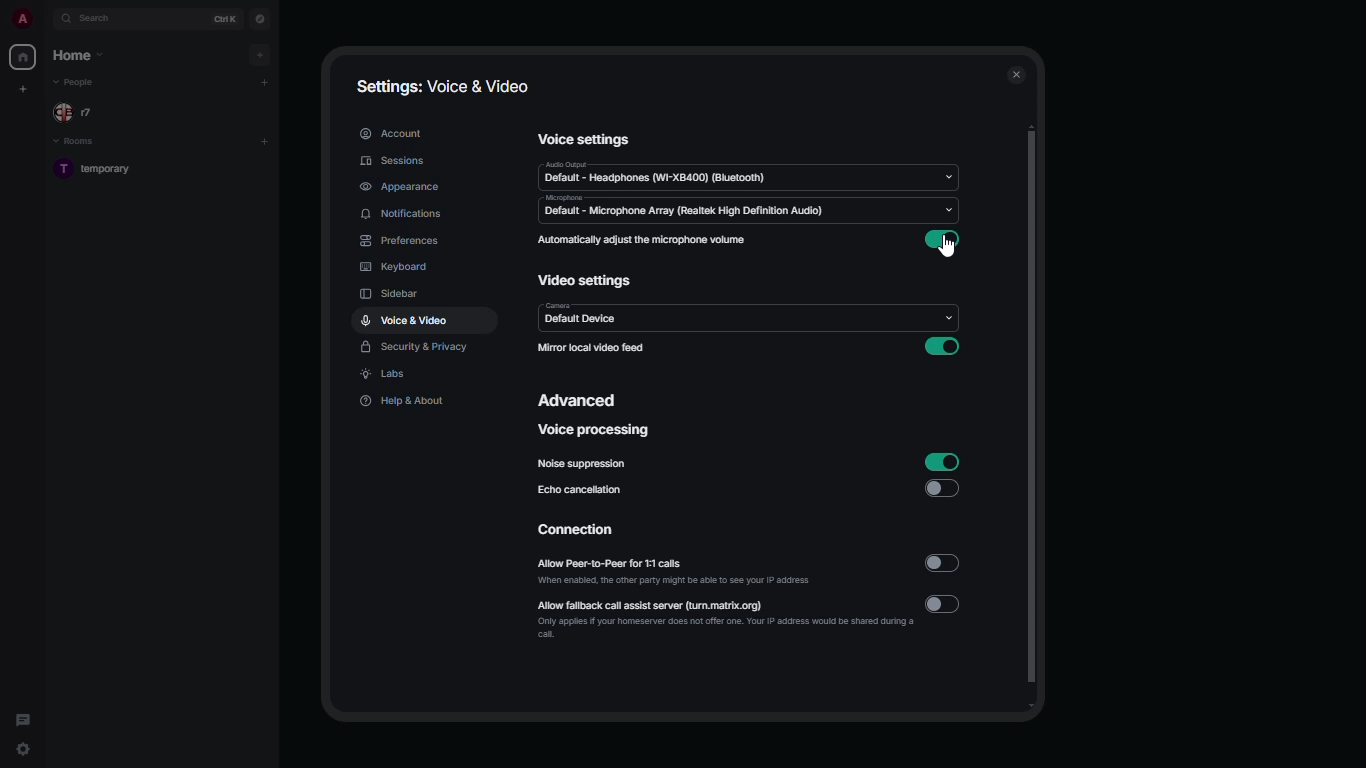 The image size is (1366, 768). I want to click on drop down, so click(953, 210).